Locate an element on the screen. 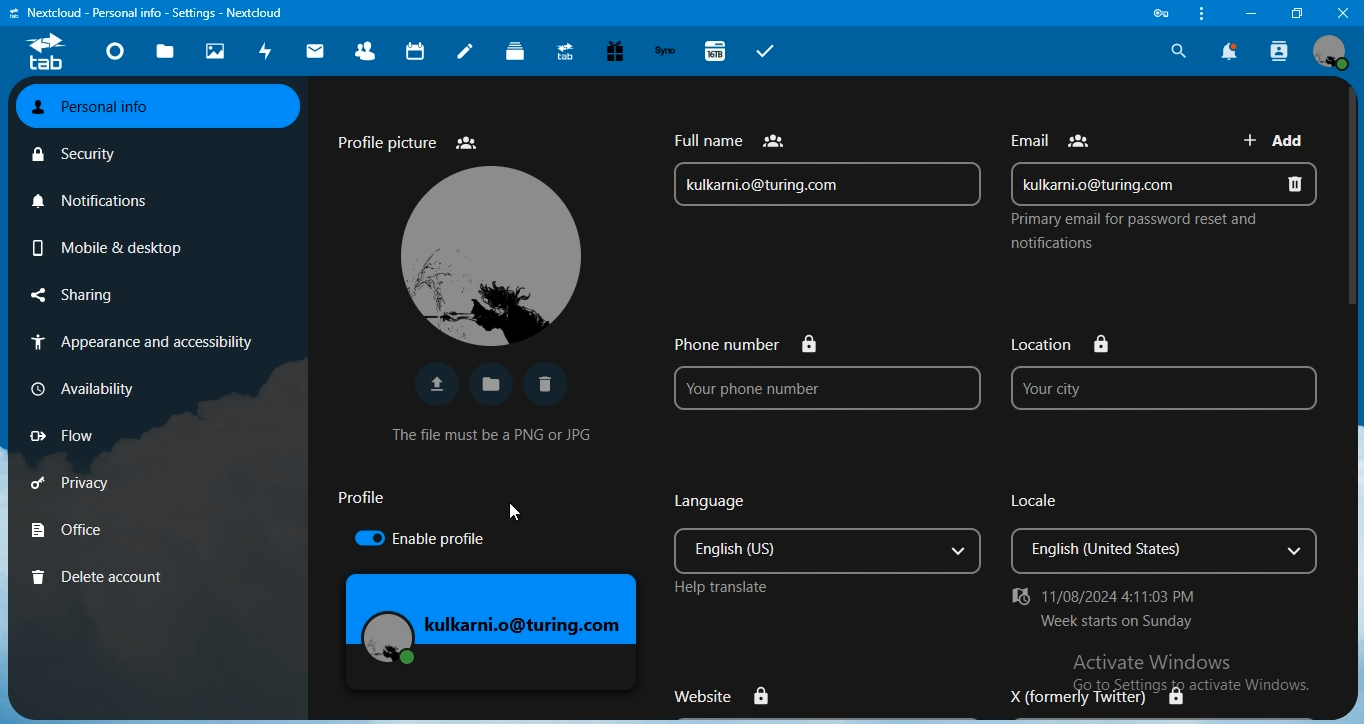  appearance & accessibilty is located at coordinates (145, 340).